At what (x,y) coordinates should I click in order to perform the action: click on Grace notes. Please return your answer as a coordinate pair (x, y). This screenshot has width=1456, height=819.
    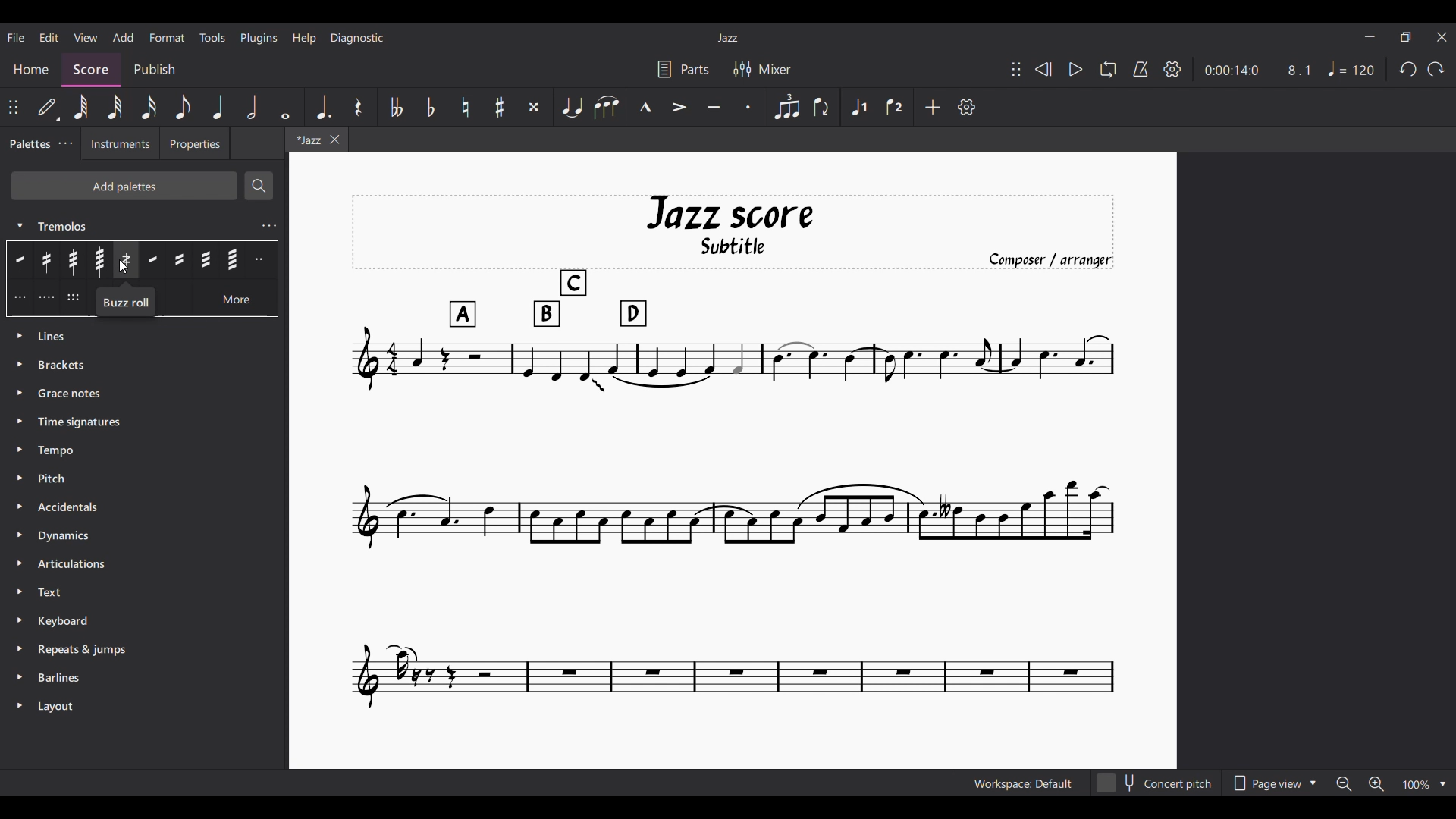
    Looking at the image, I should click on (146, 394).